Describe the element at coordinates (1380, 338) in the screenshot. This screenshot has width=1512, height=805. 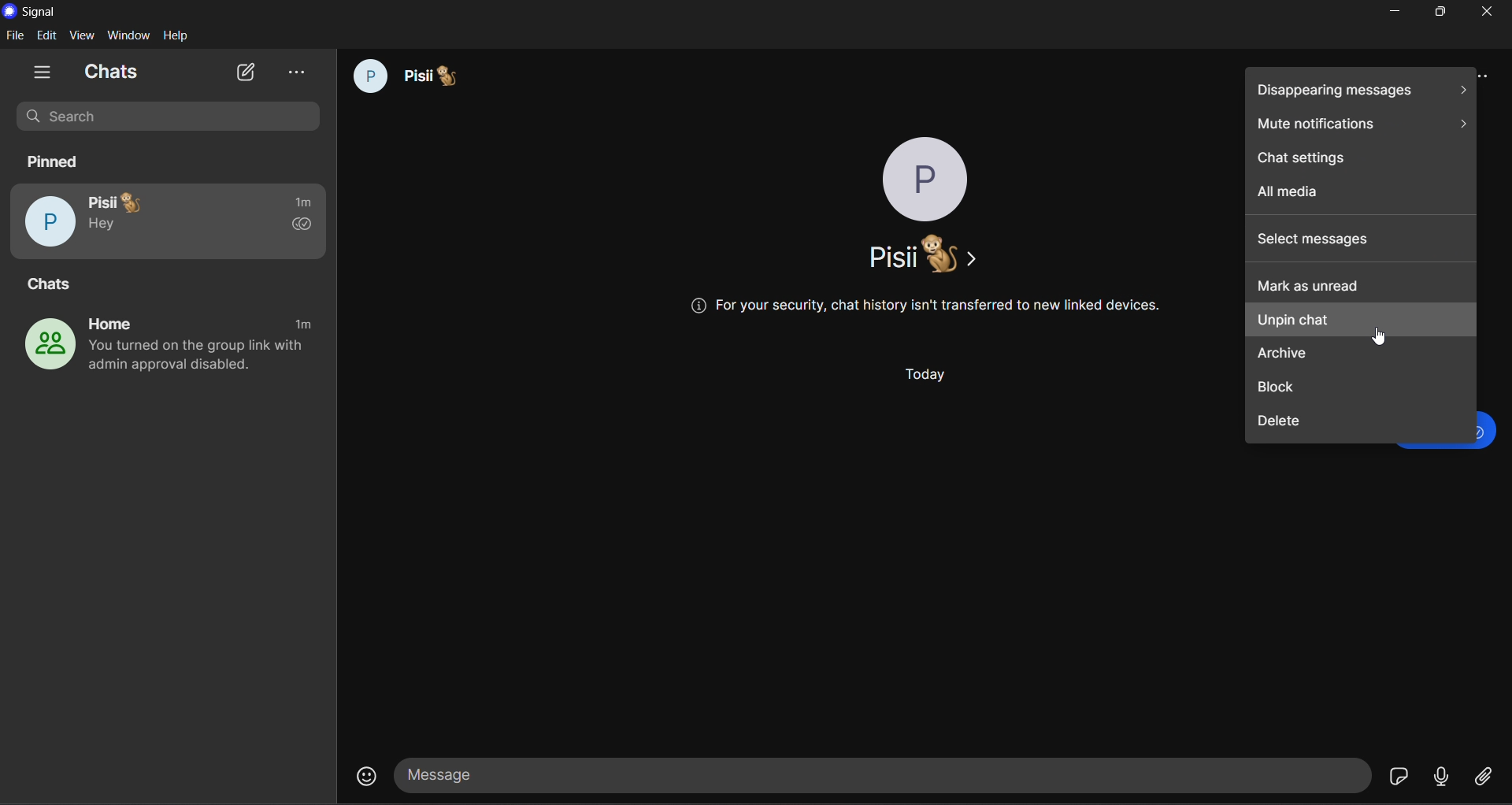
I see `Cursor` at that location.